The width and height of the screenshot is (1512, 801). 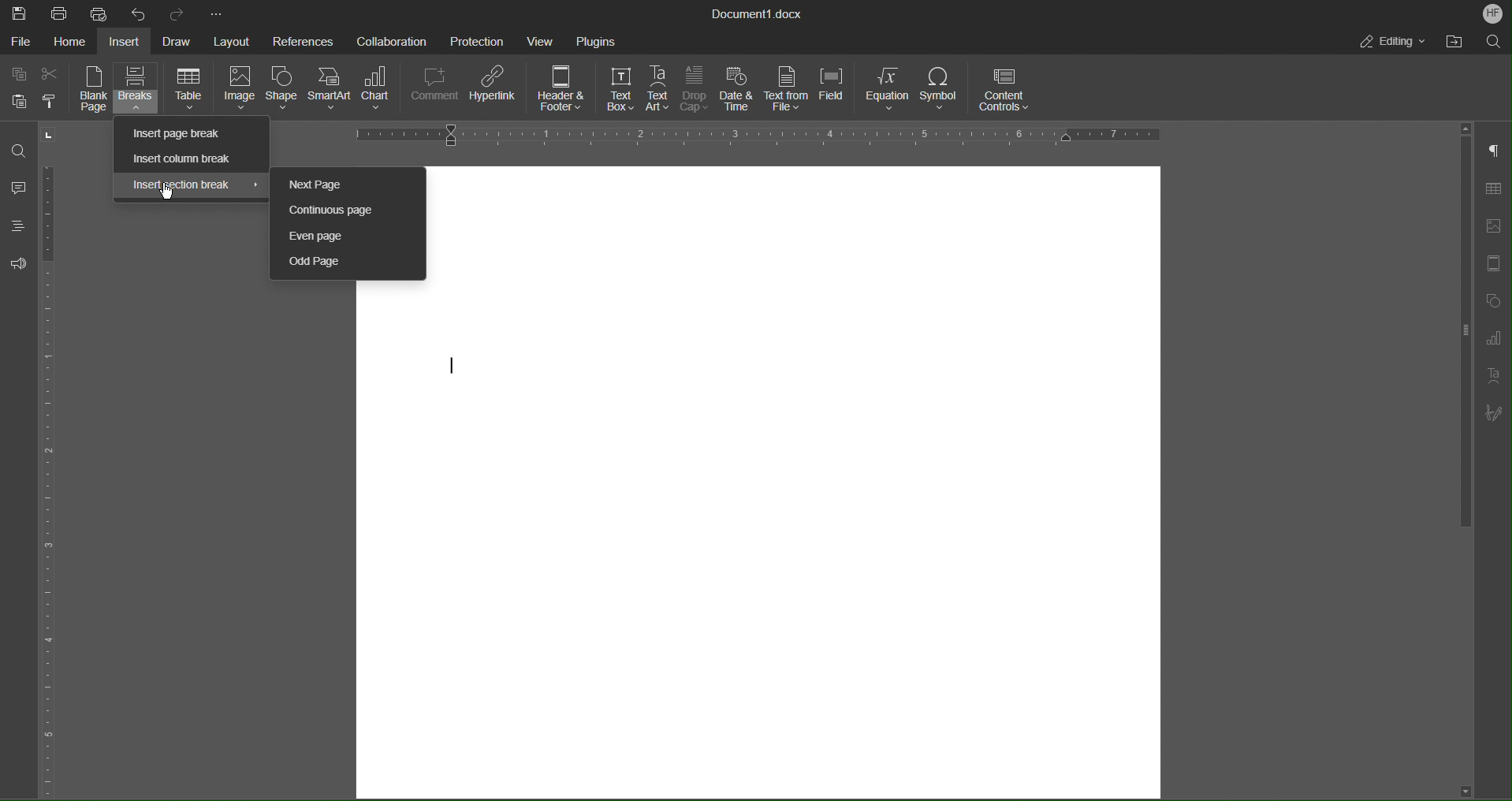 What do you see at coordinates (940, 90) in the screenshot?
I see `Symbol` at bounding box center [940, 90].